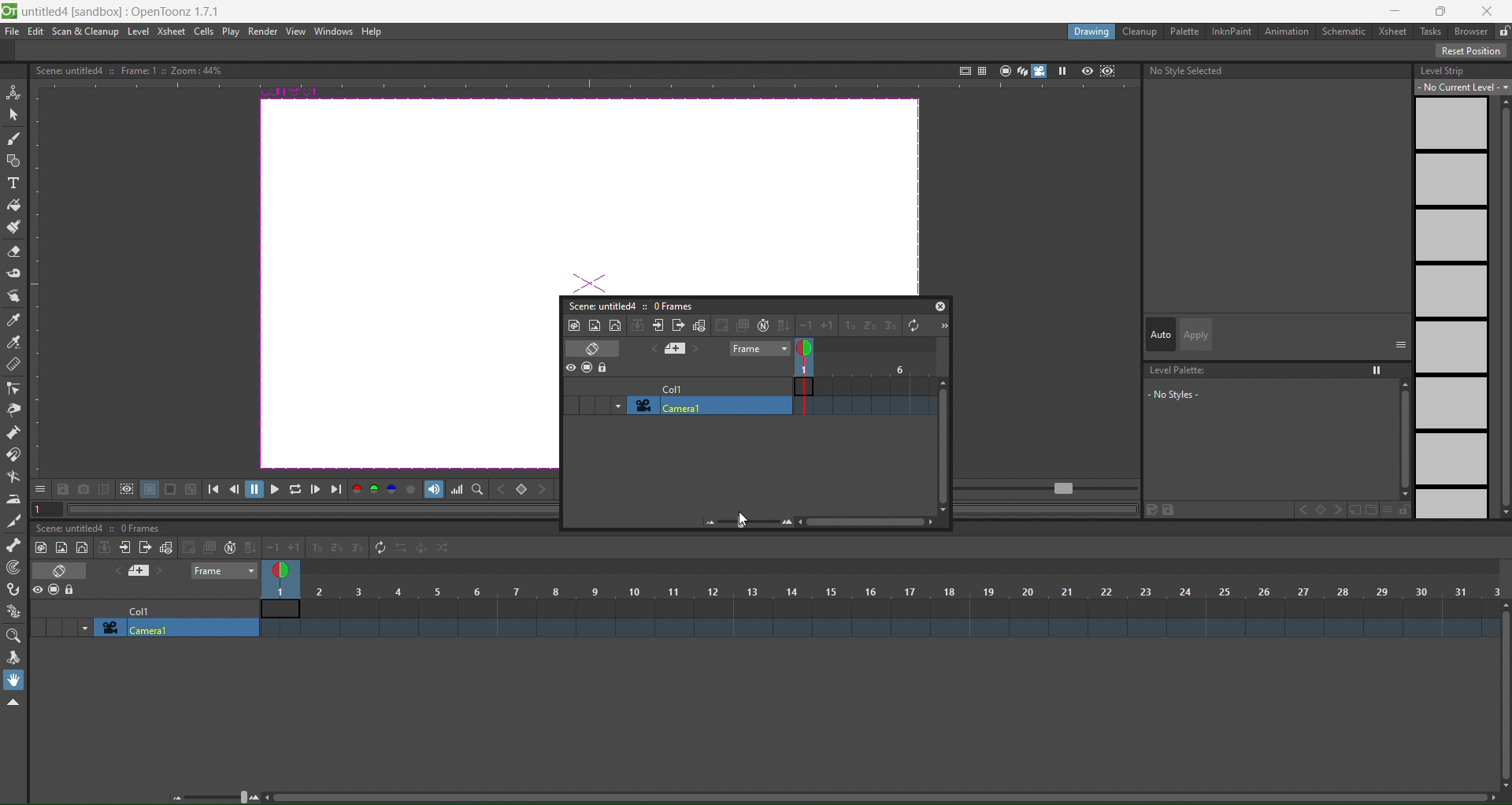 The image size is (1512, 805). I want to click on drawing, so click(1091, 32).